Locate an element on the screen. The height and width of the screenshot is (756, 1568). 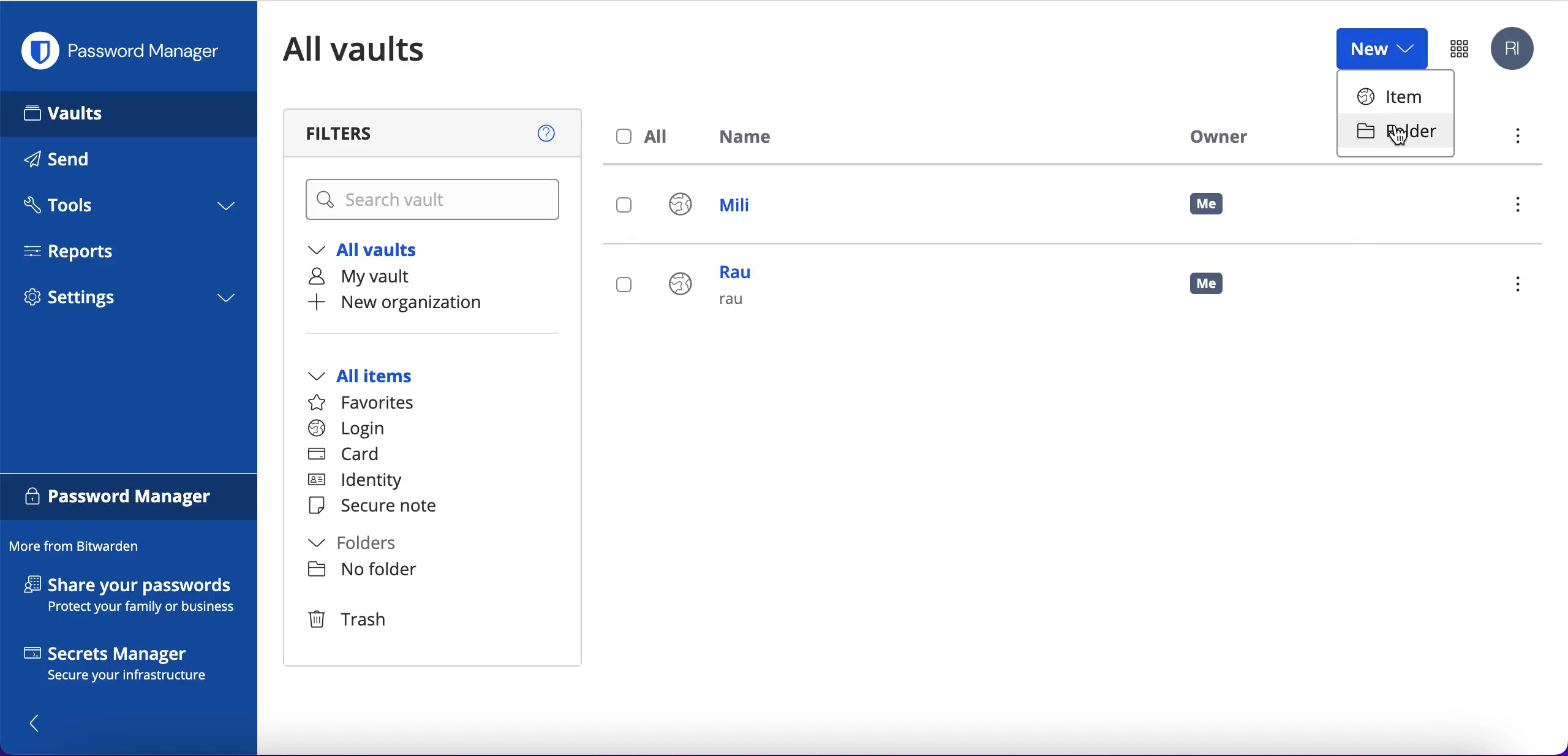
my vault is located at coordinates (372, 278).